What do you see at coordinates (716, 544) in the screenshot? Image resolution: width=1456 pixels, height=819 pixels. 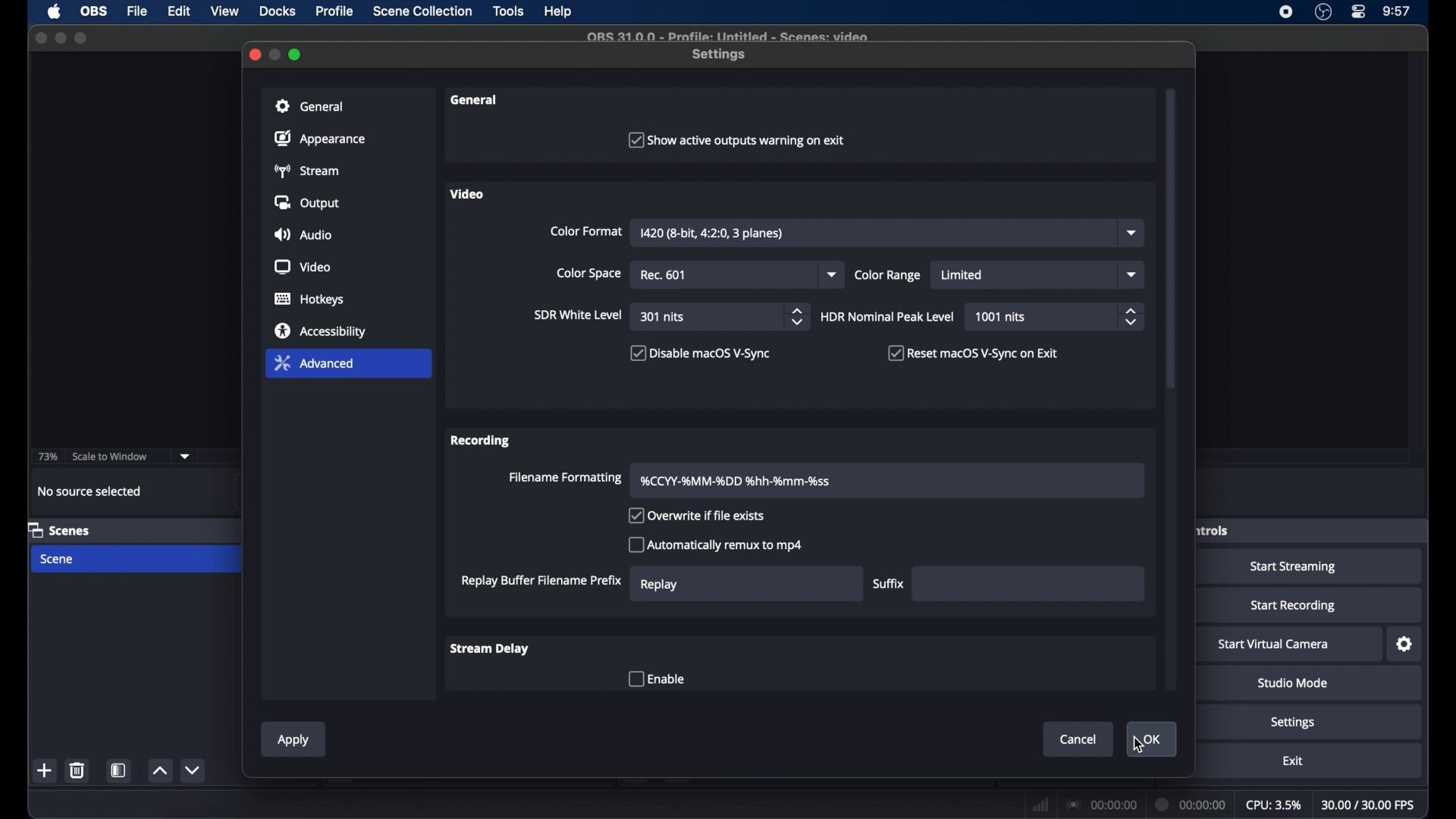 I see `automatically remix to mp4` at bounding box center [716, 544].